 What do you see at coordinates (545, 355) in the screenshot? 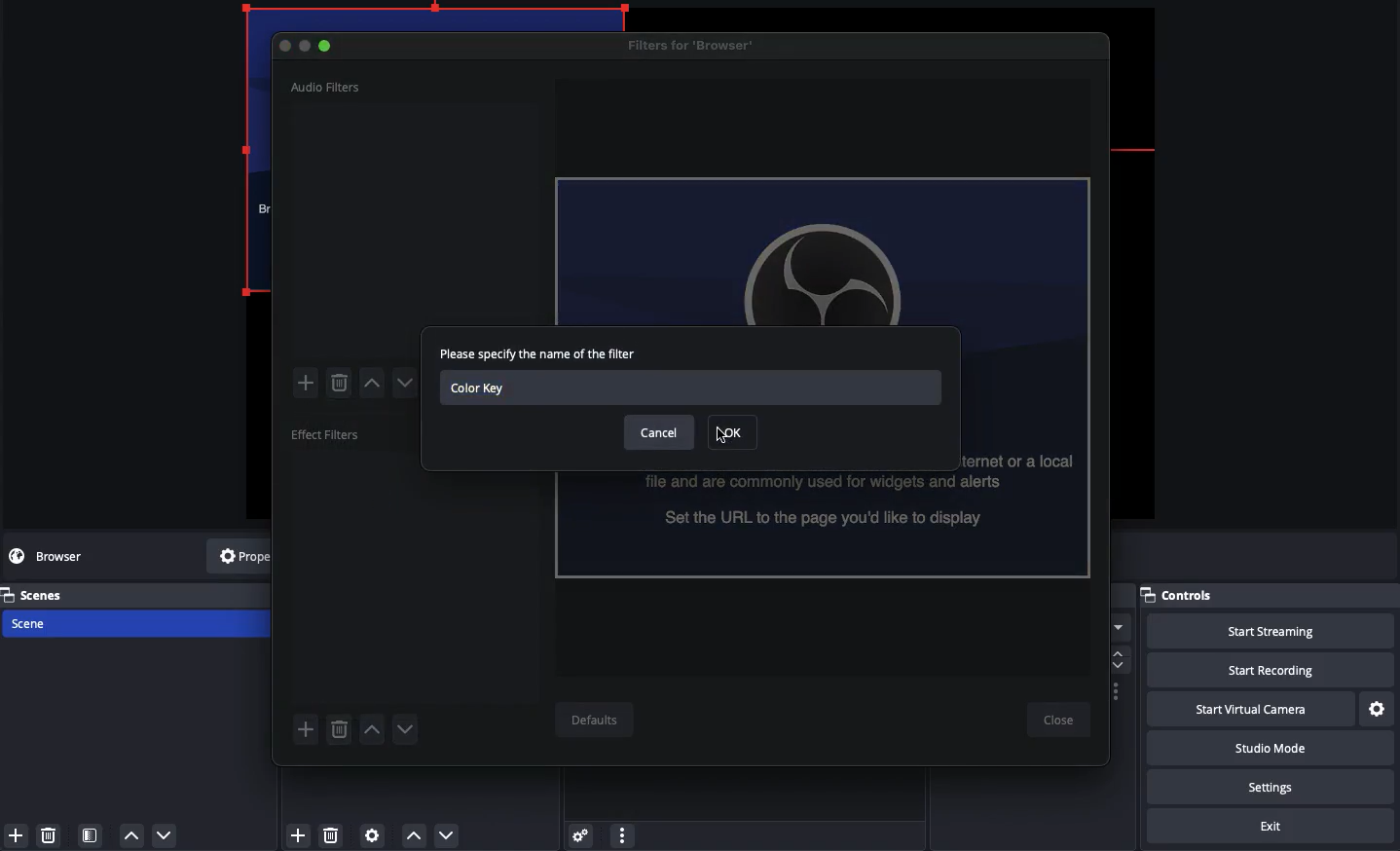
I see `Specify the name of the filter` at bounding box center [545, 355].